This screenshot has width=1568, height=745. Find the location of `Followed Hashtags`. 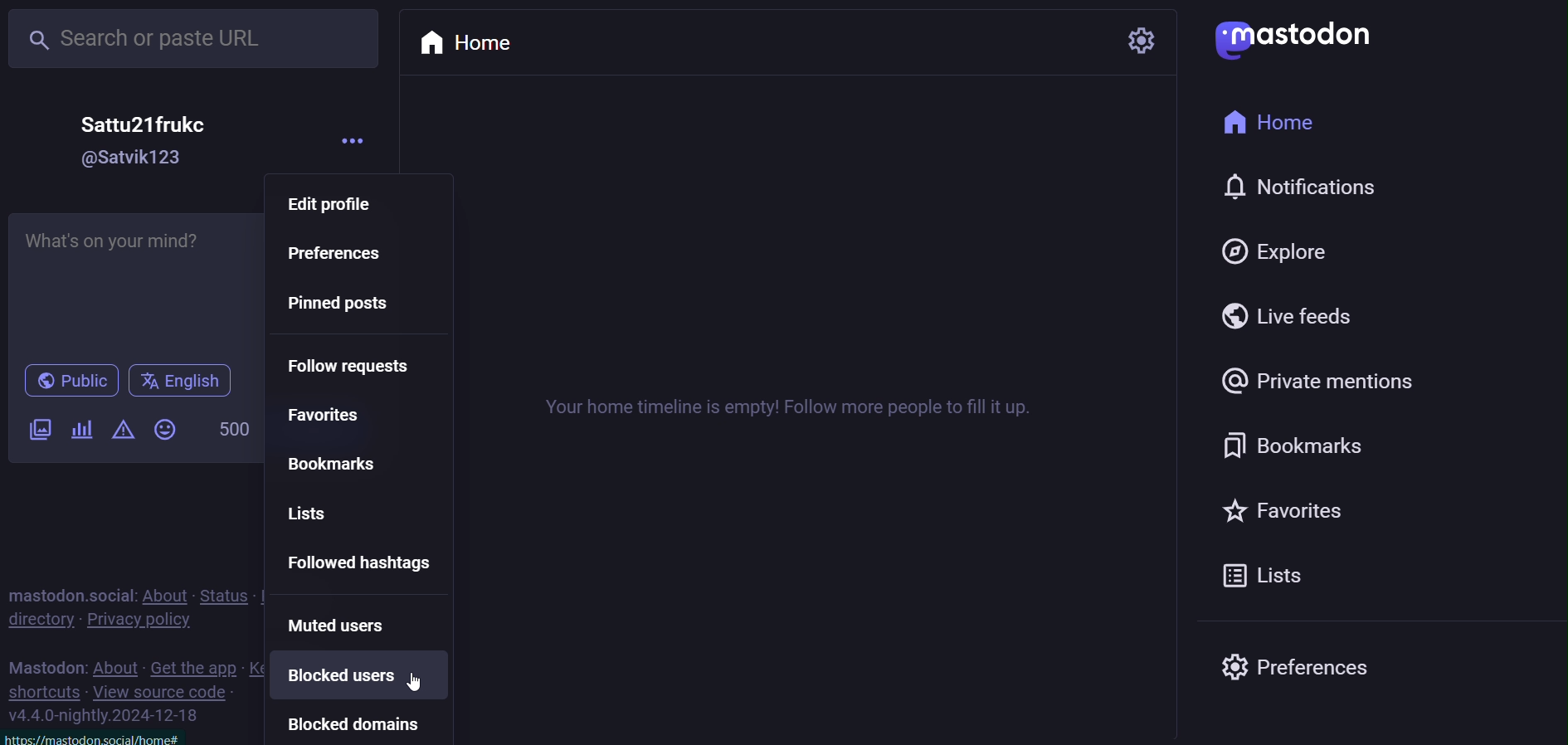

Followed Hashtags is located at coordinates (369, 562).